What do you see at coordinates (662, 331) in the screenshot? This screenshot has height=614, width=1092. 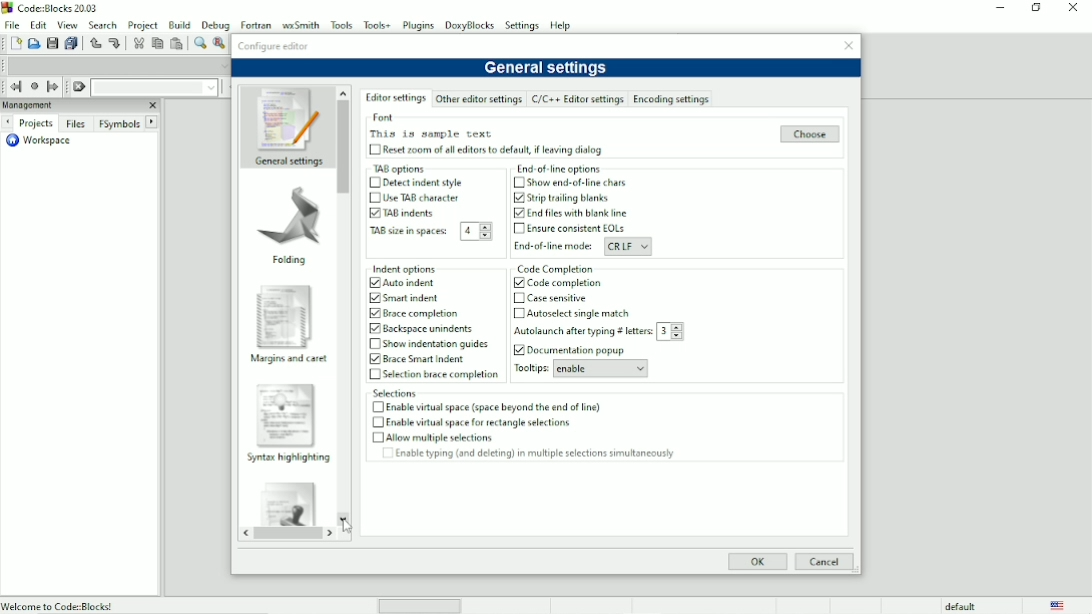 I see `3` at bounding box center [662, 331].